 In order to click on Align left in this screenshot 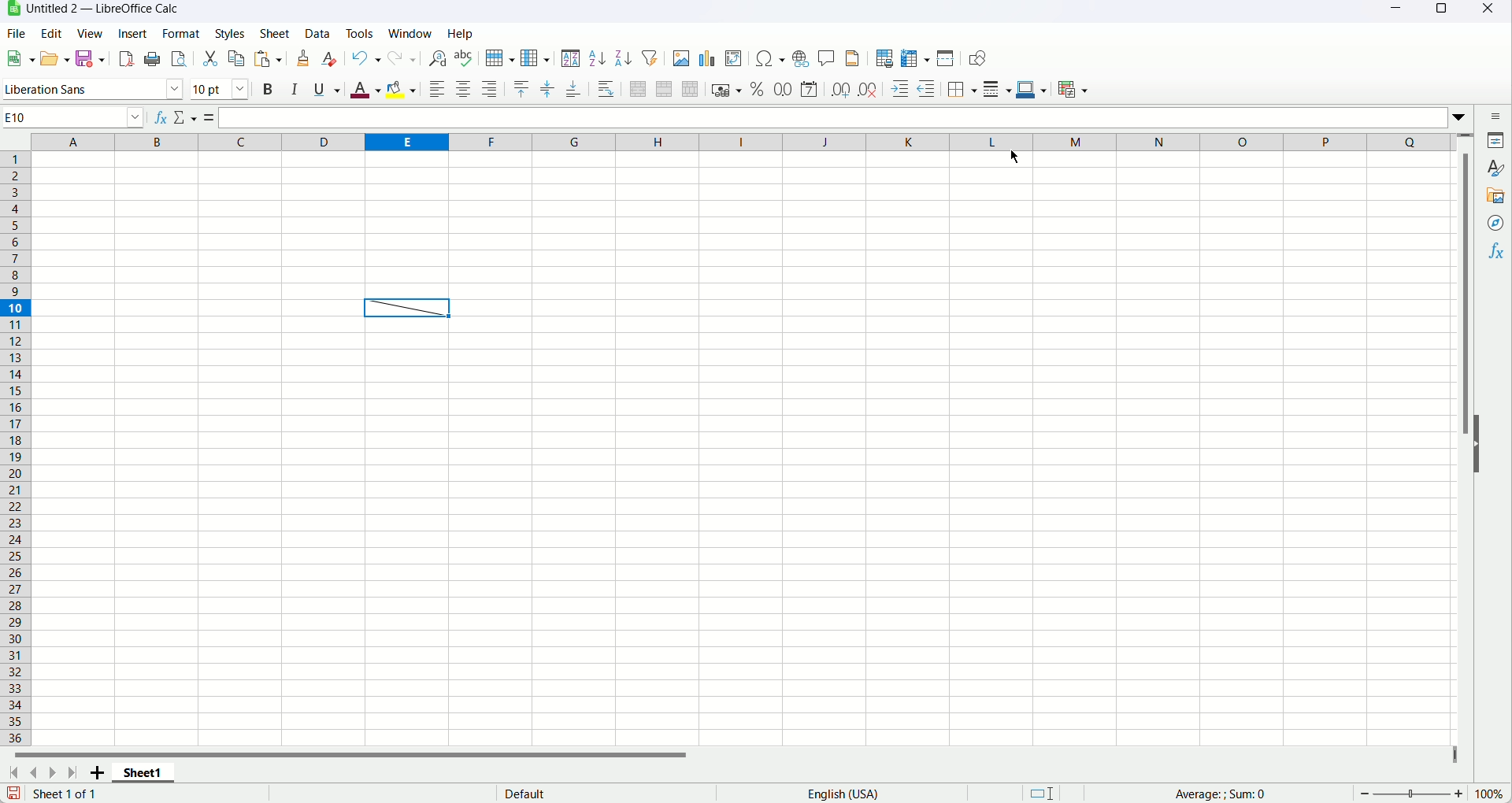, I will do `click(436, 90)`.